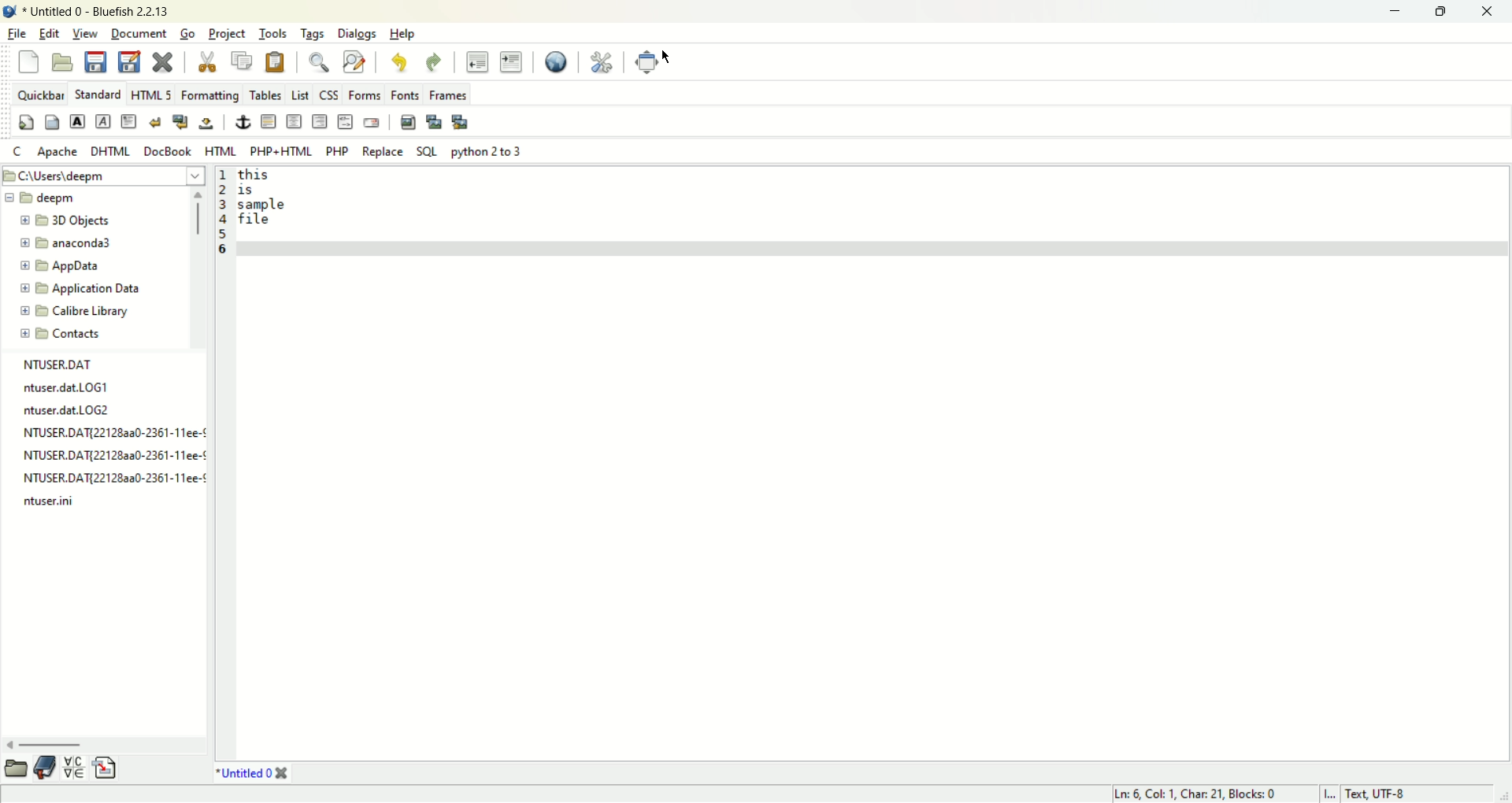 The image size is (1512, 803). I want to click on dialogs, so click(357, 34).